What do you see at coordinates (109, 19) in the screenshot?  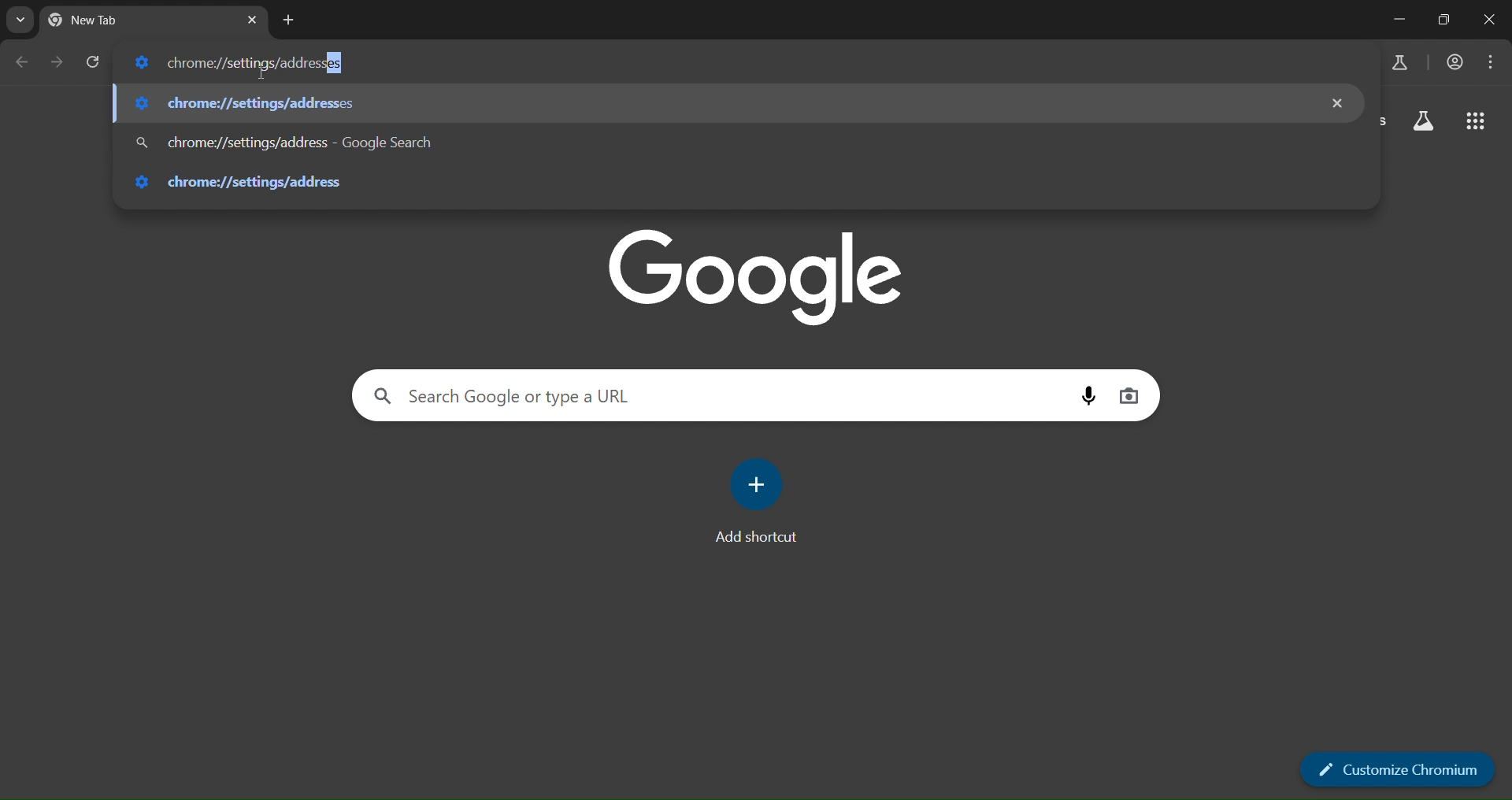 I see `current page` at bounding box center [109, 19].